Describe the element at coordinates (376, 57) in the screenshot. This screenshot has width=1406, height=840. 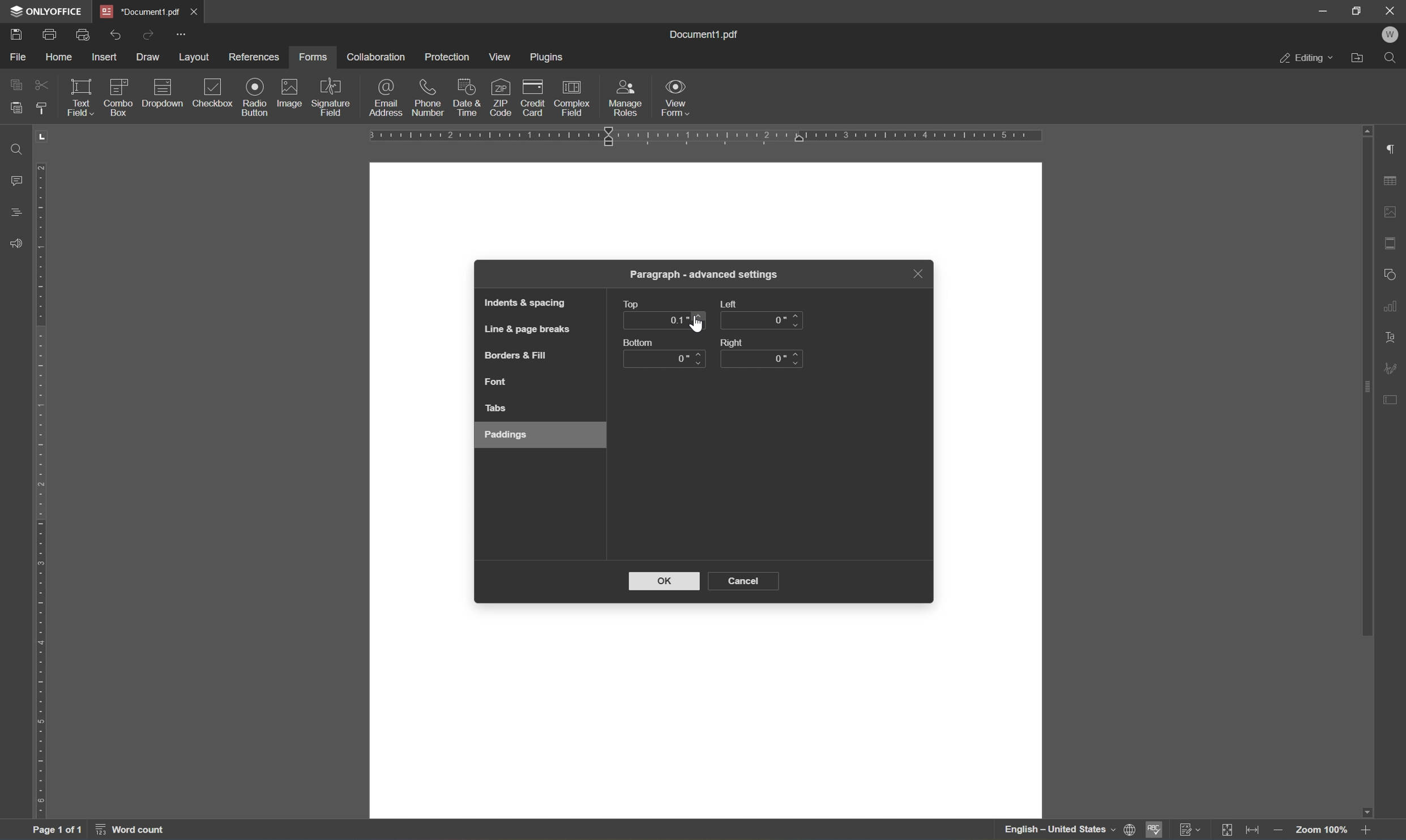
I see `collaboration` at that location.